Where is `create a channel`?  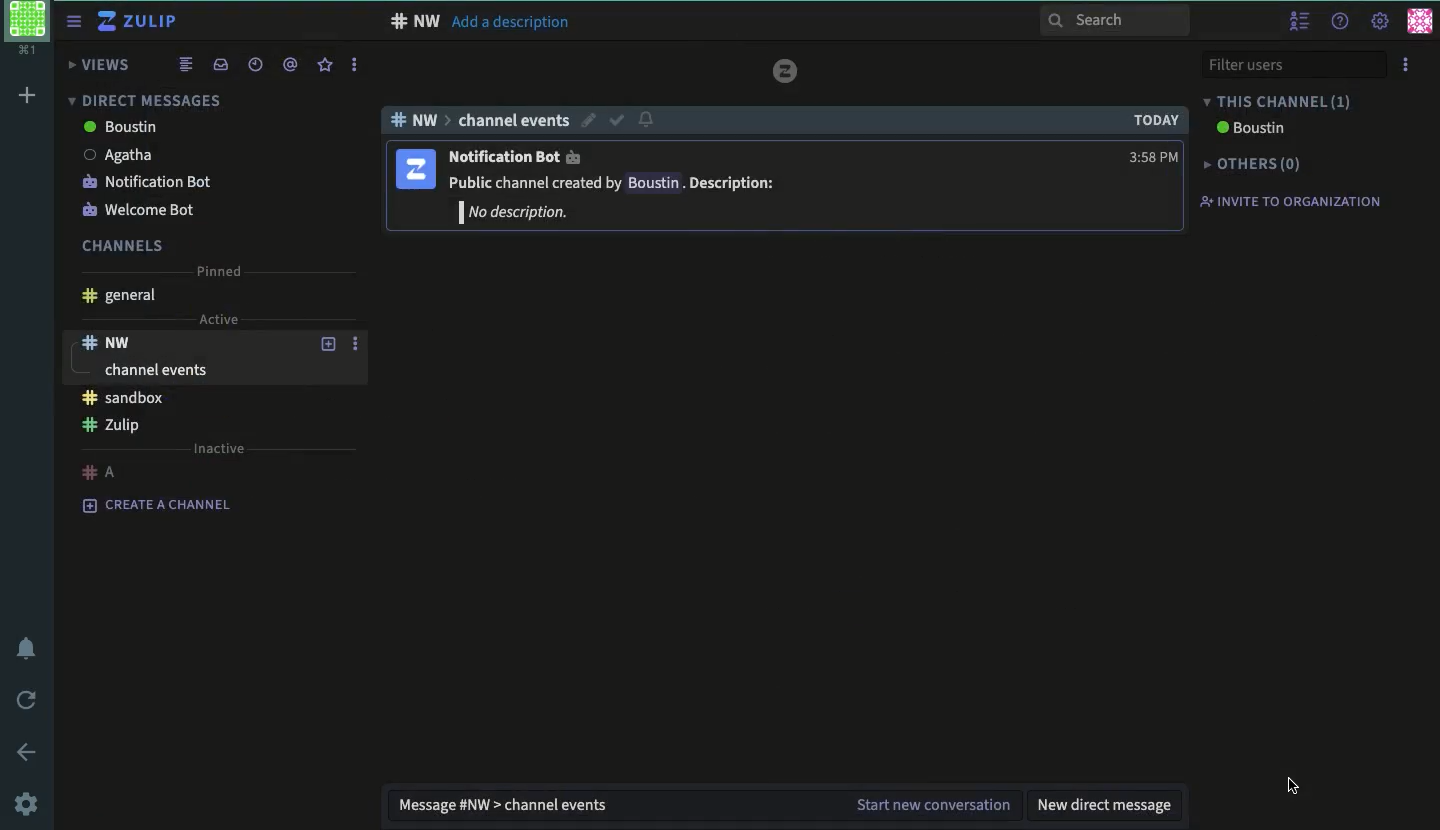 create a channel is located at coordinates (160, 507).